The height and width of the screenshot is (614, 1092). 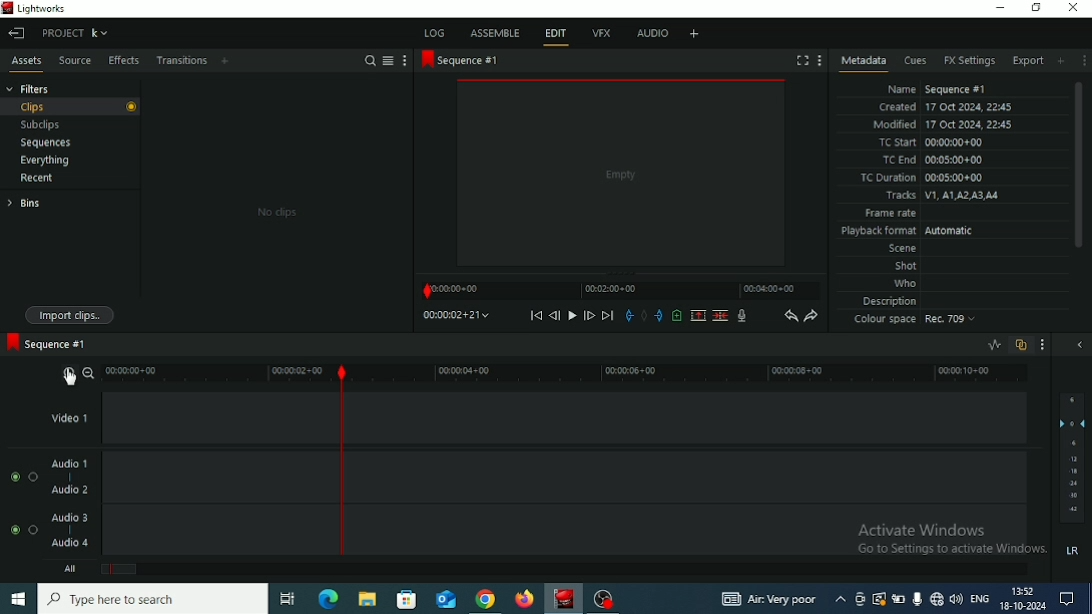 I want to click on Assets, so click(x=27, y=60).